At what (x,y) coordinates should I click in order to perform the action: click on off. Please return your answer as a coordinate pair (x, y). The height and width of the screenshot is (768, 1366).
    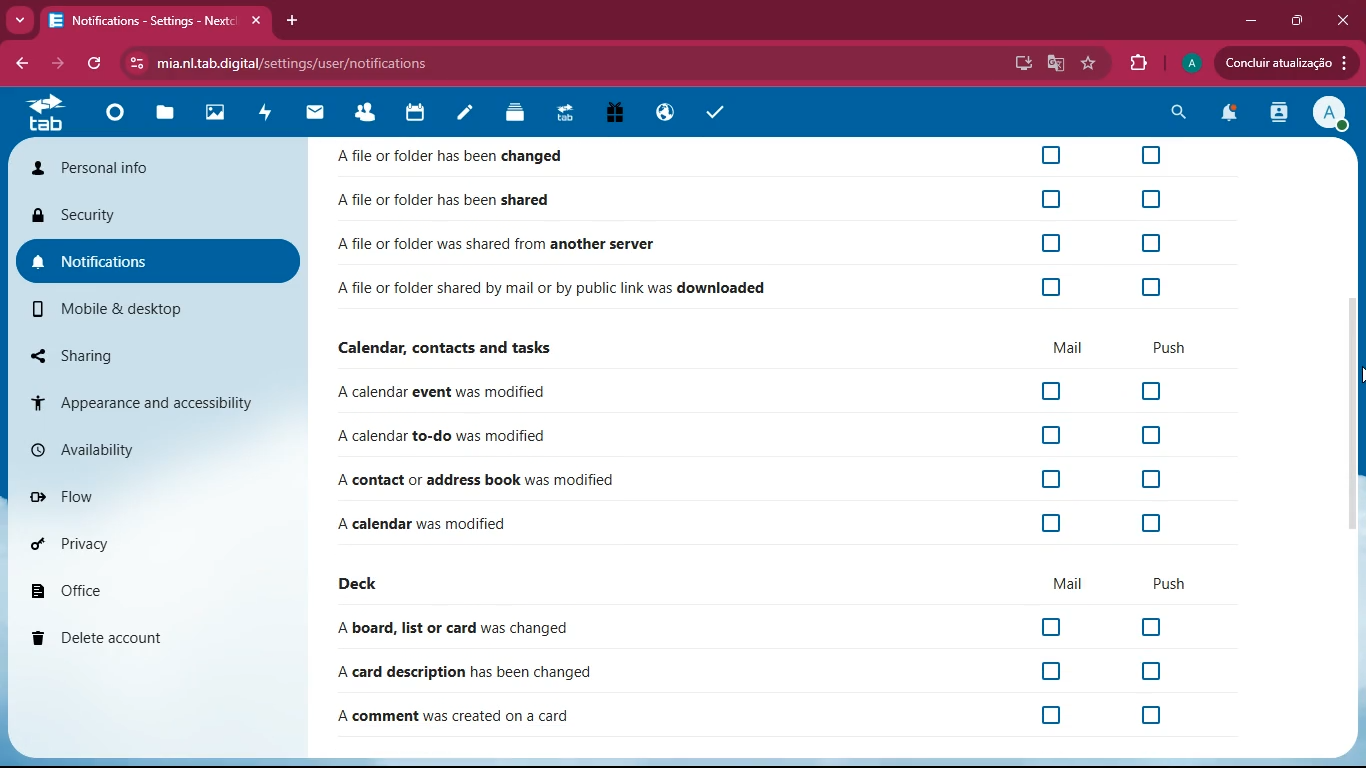
    Looking at the image, I should click on (1052, 668).